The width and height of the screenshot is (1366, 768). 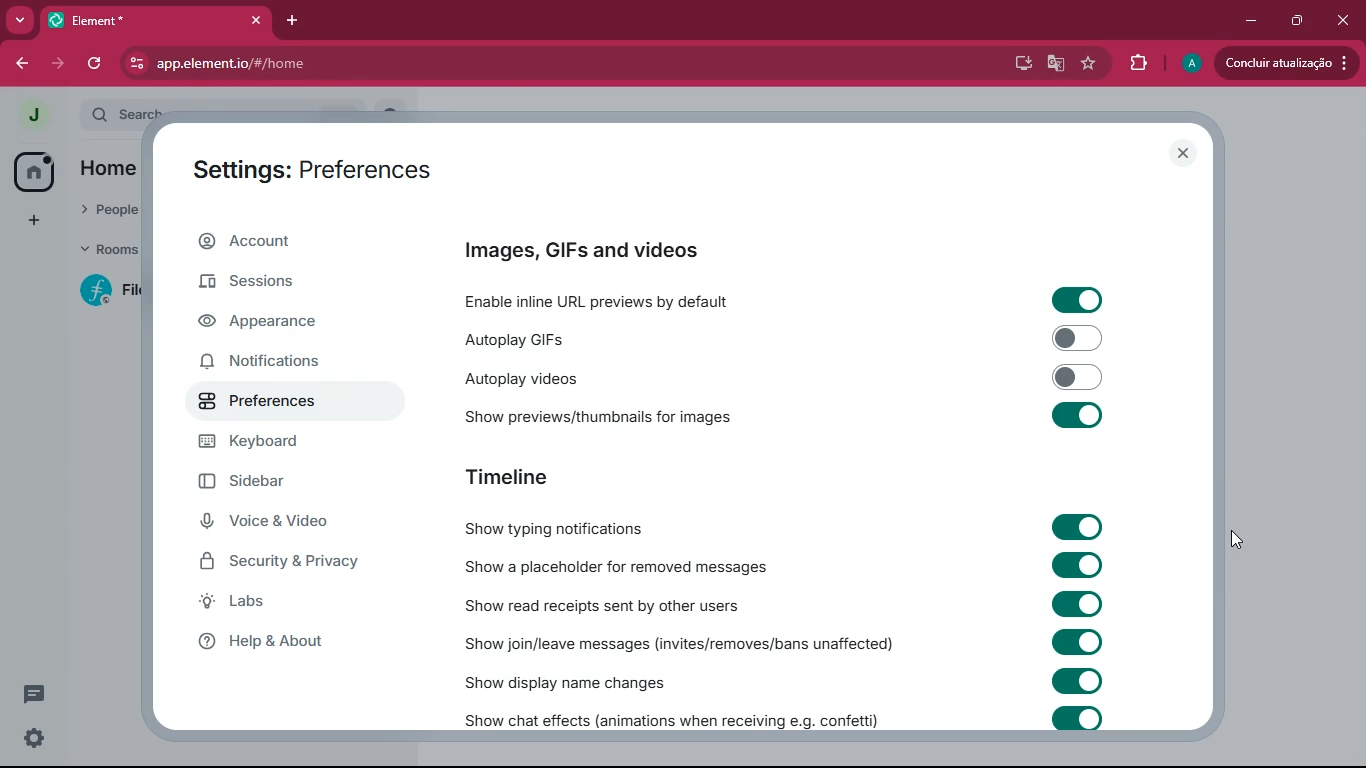 What do you see at coordinates (591, 250) in the screenshot?
I see `images, GIFs and videos` at bounding box center [591, 250].